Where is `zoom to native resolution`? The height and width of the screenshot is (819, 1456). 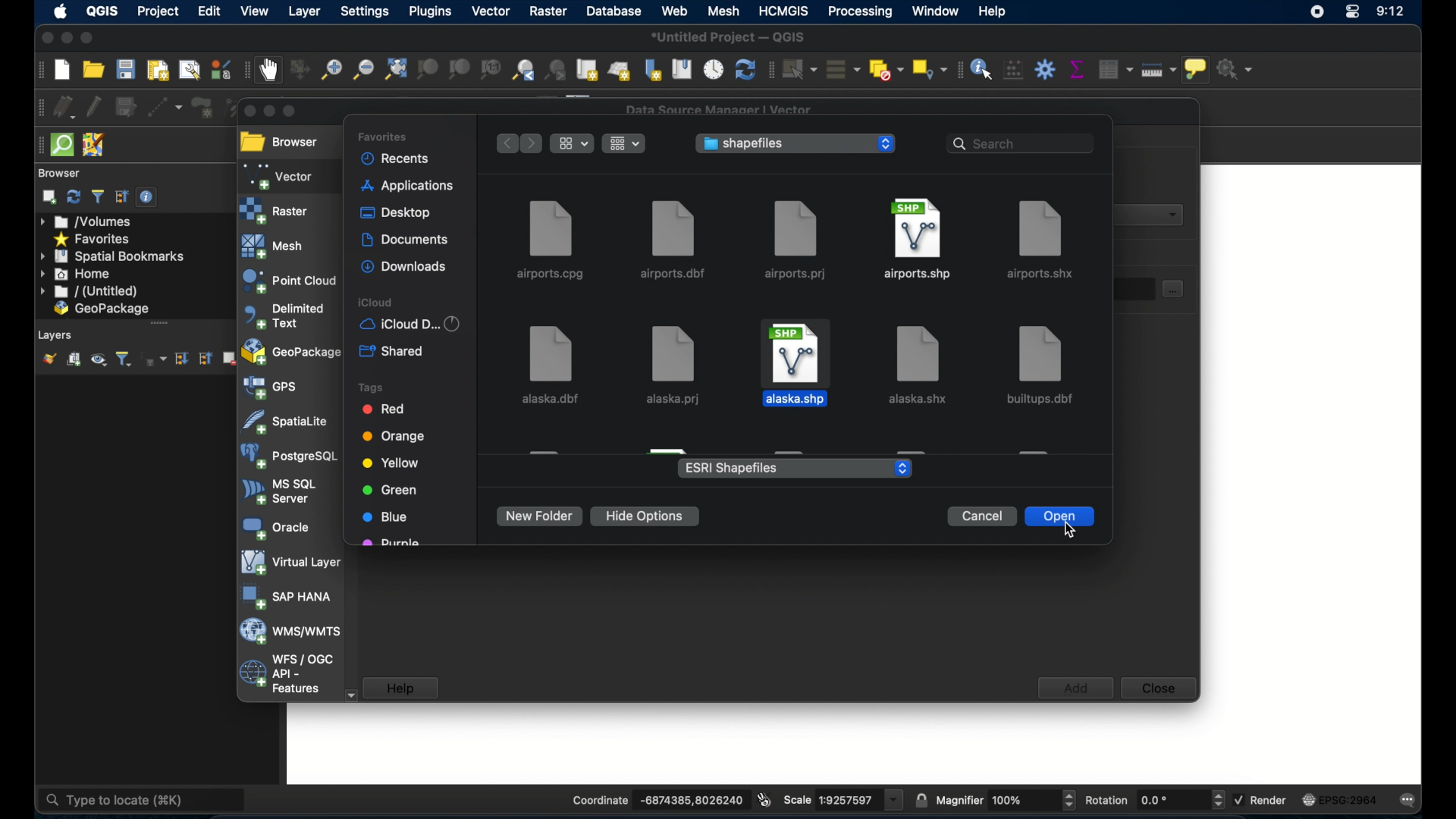 zoom to native resolution is located at coordinates (490, 69).